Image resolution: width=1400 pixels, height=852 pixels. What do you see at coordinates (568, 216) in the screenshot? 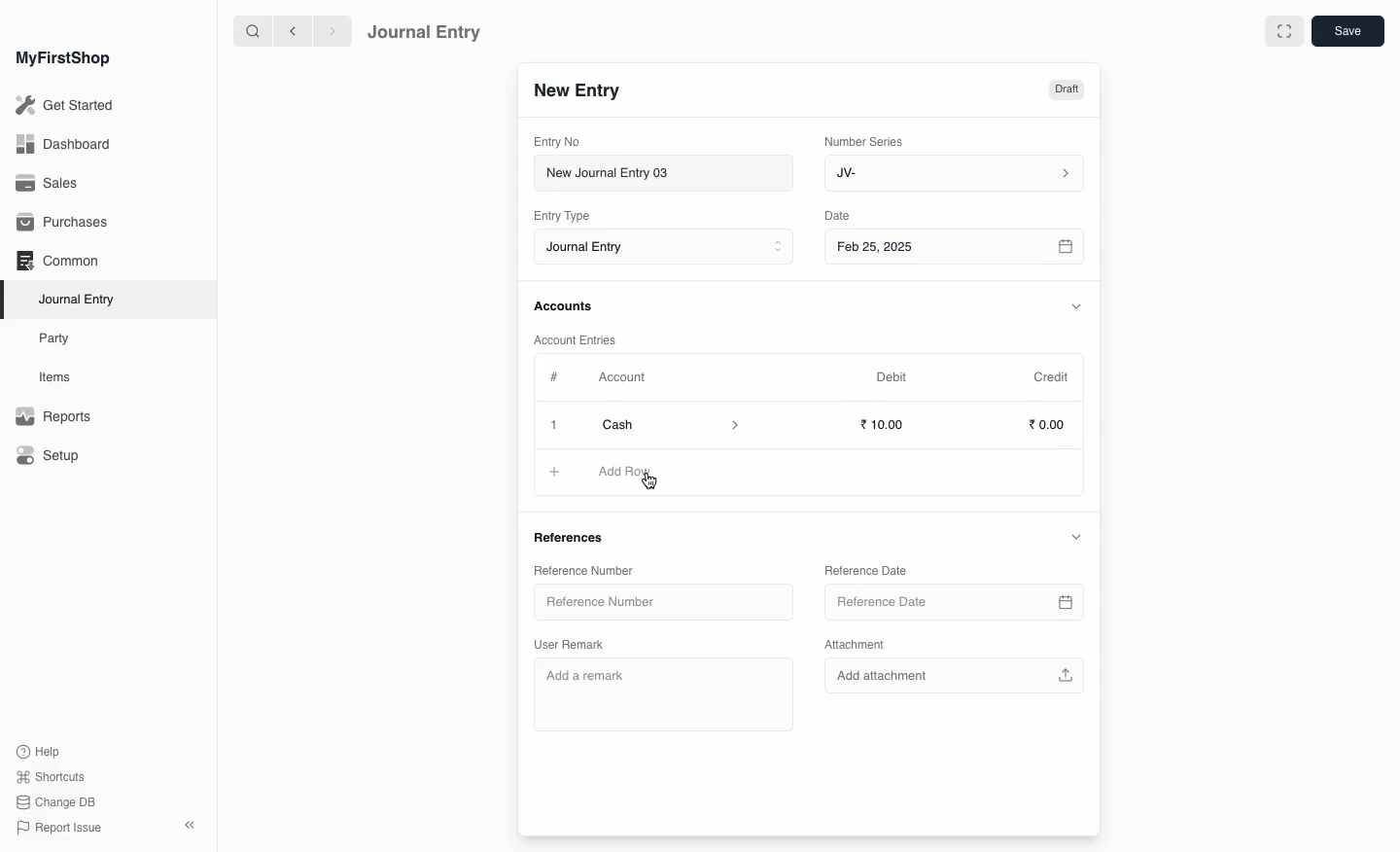
I see `Entry Type` at bounding box center [568, 216].